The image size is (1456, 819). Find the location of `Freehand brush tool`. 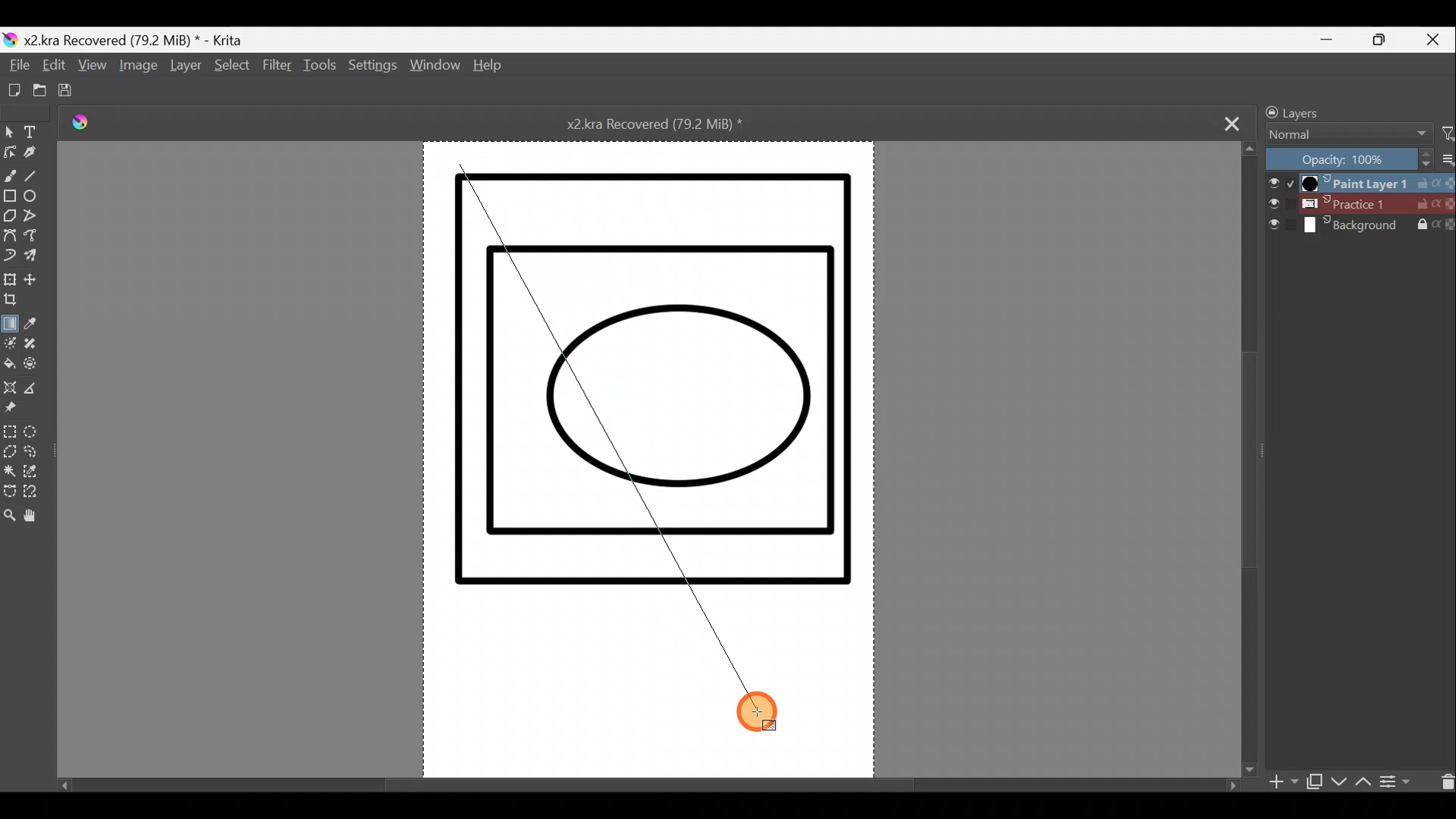

Freehand brush tool is located at coordinates (10, 175).